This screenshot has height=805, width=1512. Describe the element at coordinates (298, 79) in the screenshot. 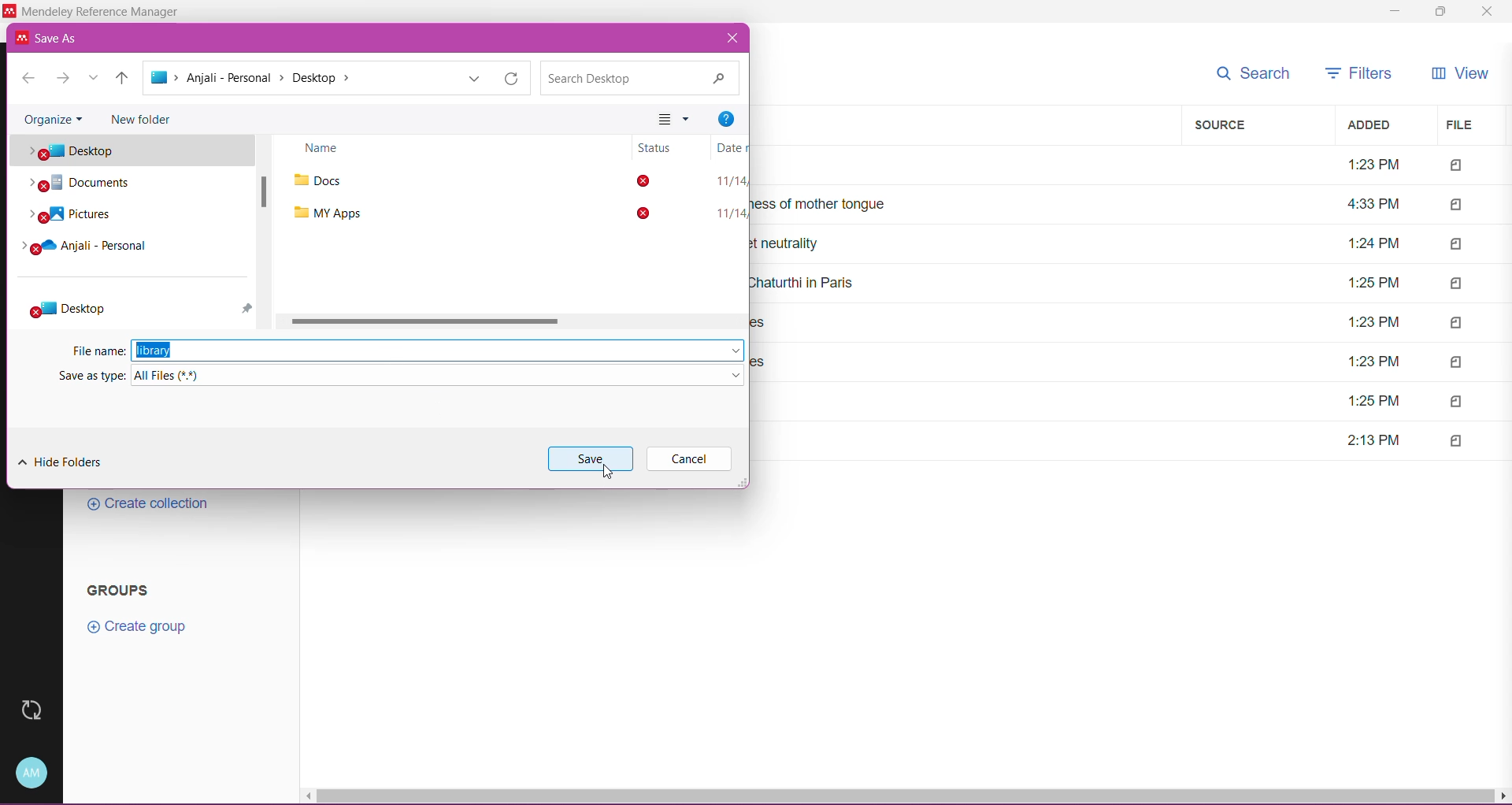

I see `Selected Path to save the library` at that location.